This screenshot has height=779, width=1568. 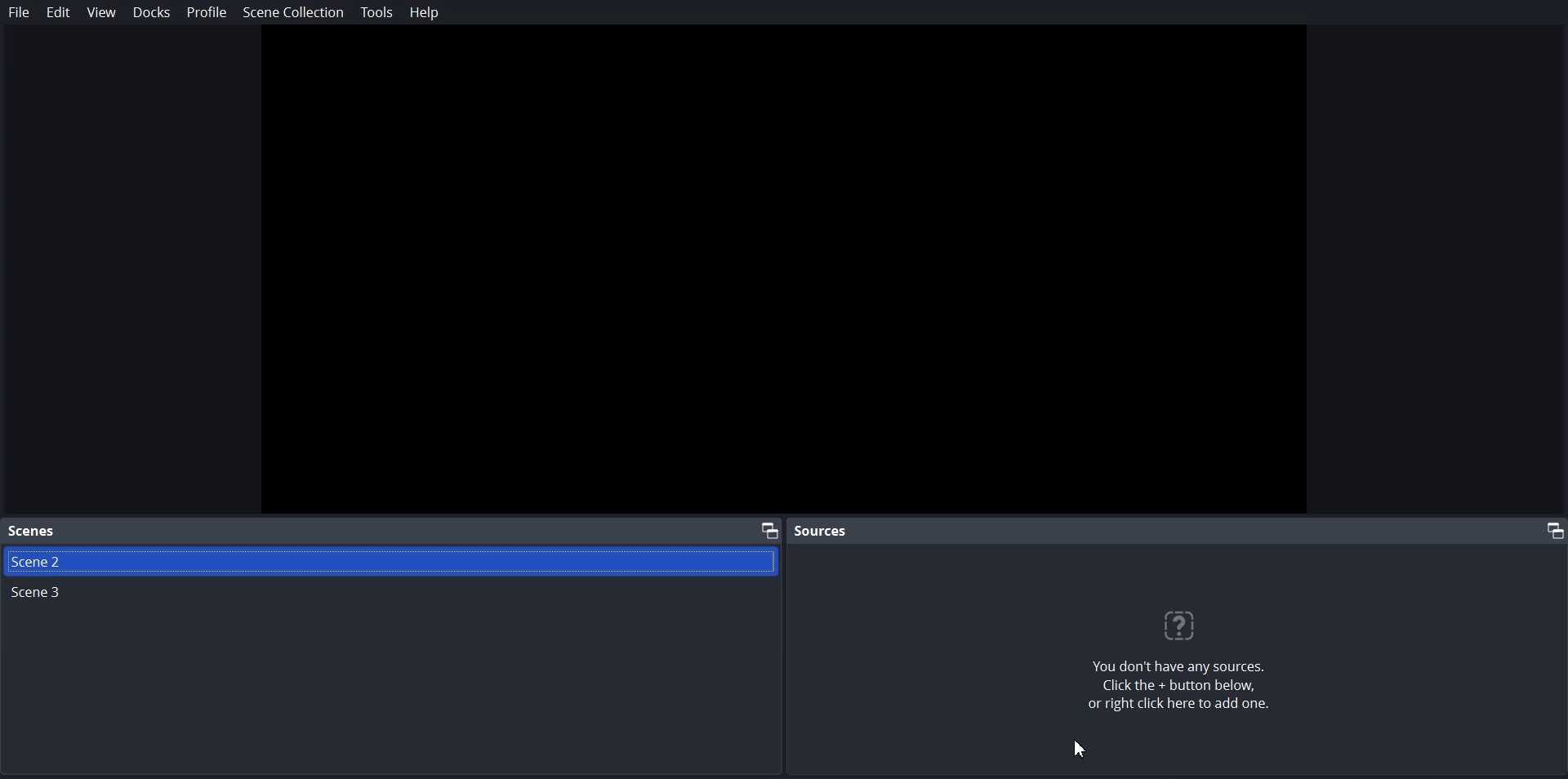 I want to click on Maximize, so click(x=1550, y=530).